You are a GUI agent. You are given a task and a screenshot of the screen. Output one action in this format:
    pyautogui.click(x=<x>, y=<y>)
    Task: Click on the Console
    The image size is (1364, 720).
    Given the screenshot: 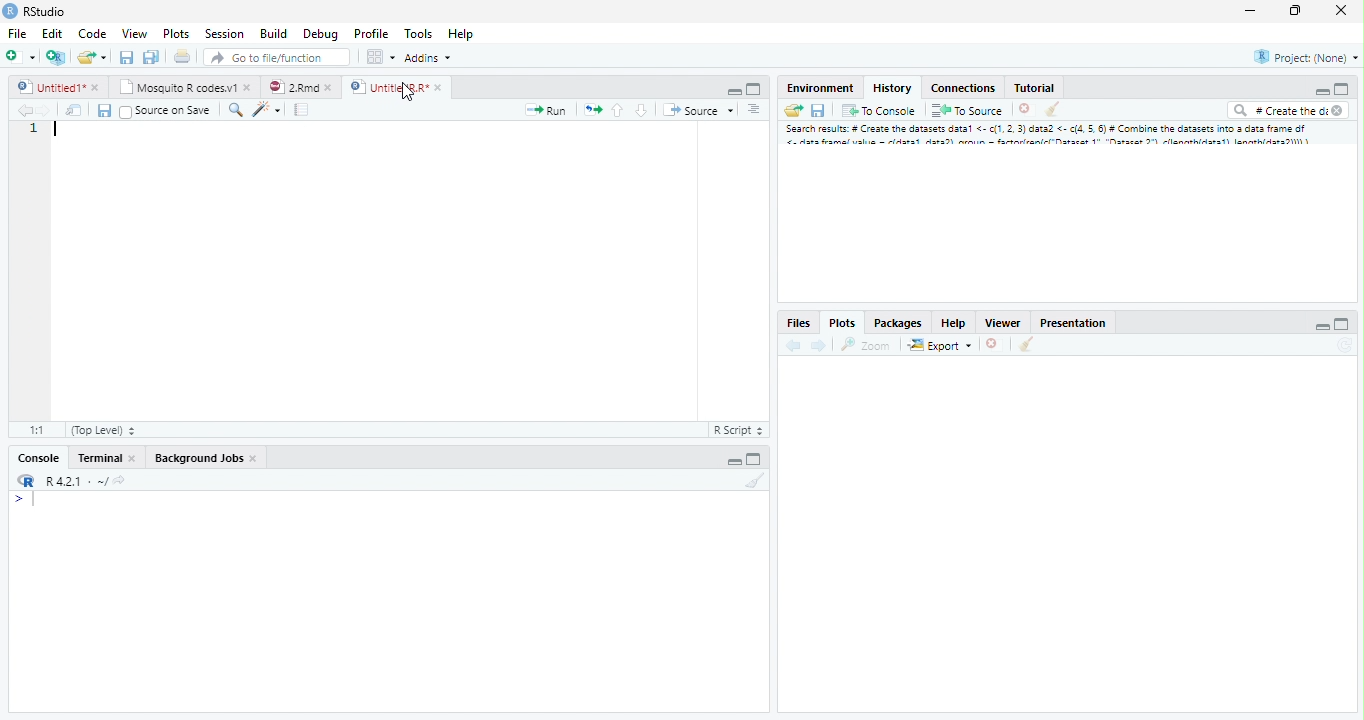 What is the action you would take?
    pyautogui.click(x=42, y=457)
    